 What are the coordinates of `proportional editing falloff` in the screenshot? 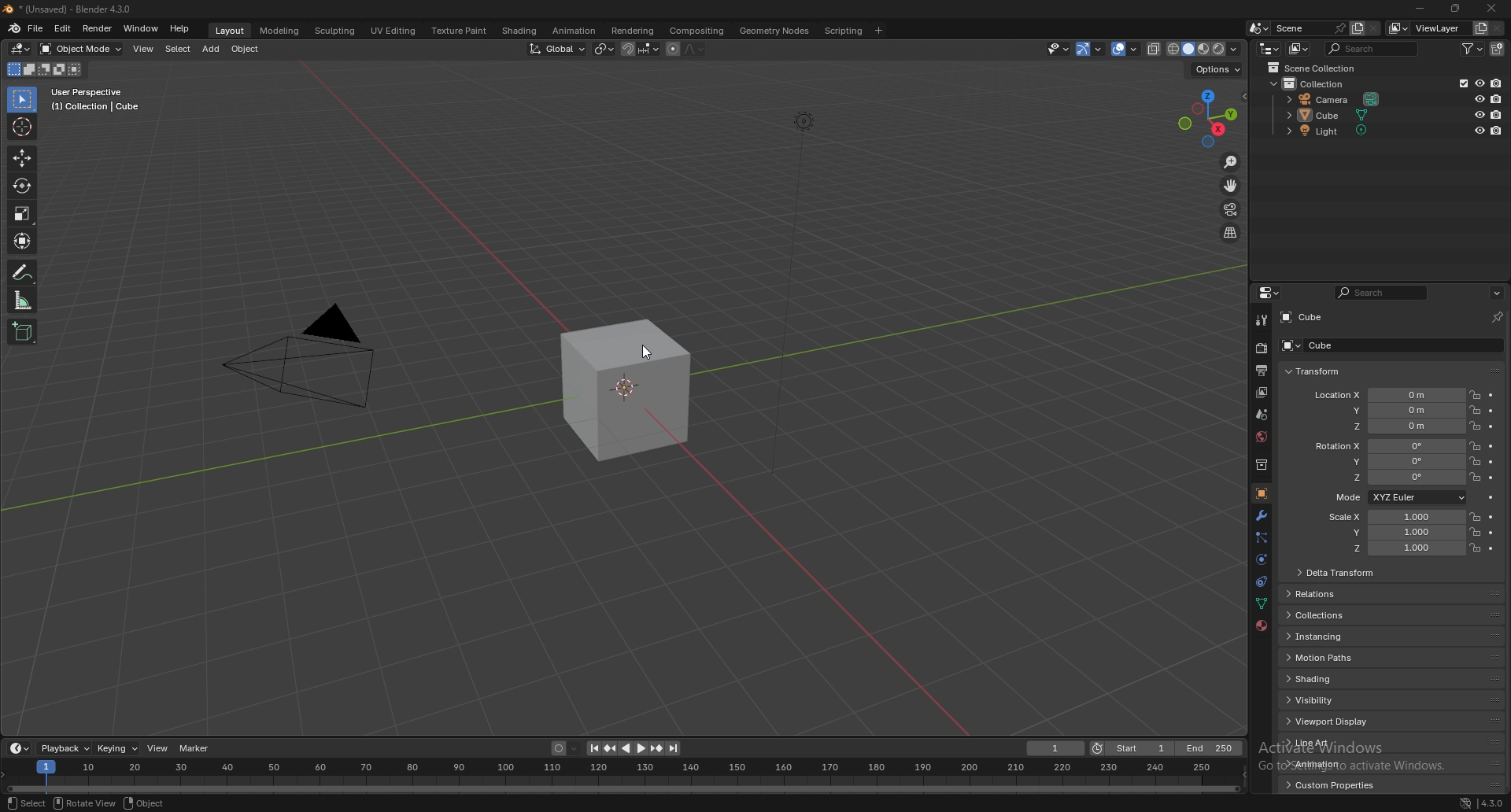 It's located at (695, 49).